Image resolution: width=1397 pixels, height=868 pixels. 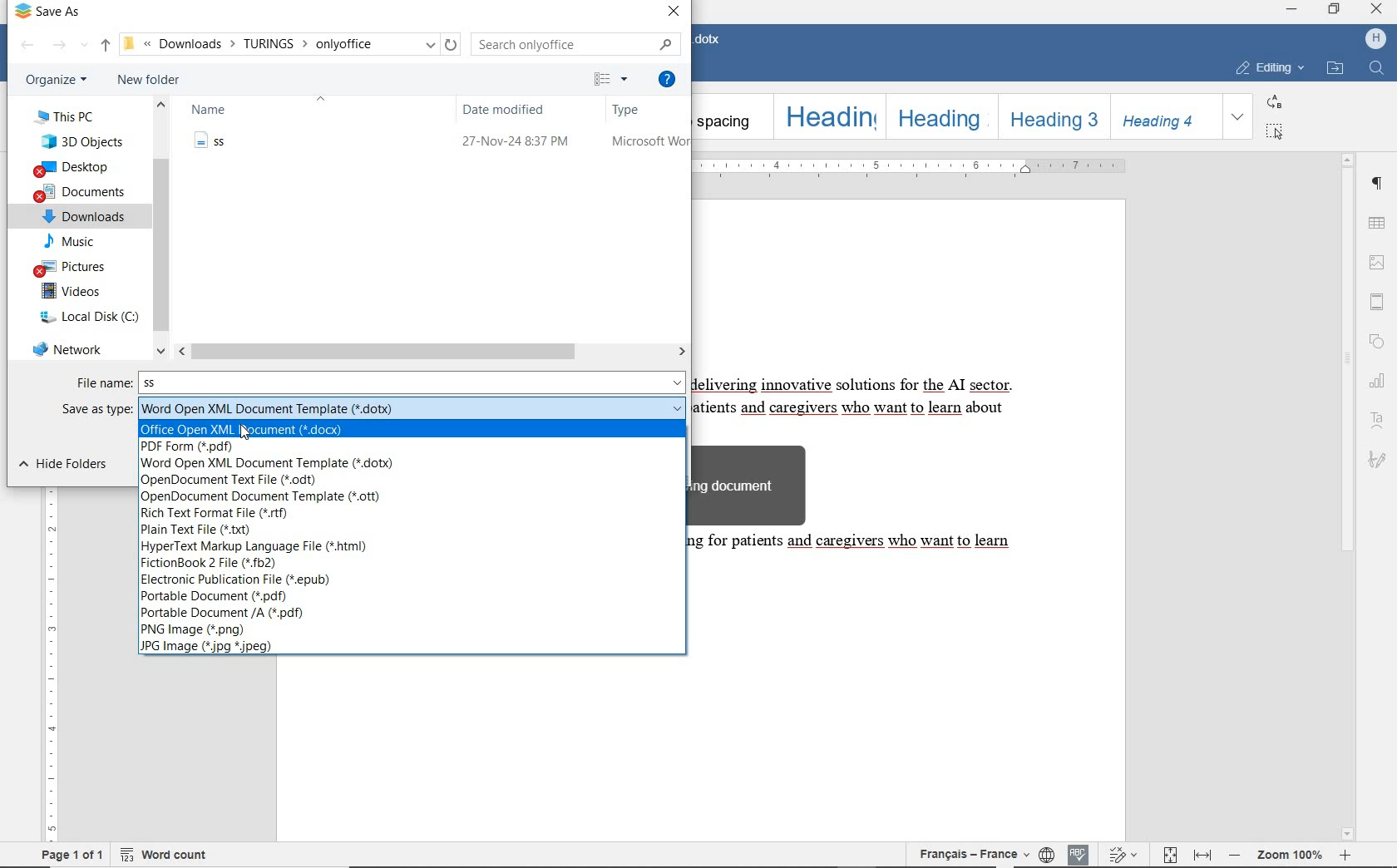 I want to click on TYPE, so click(x=646, y=111).